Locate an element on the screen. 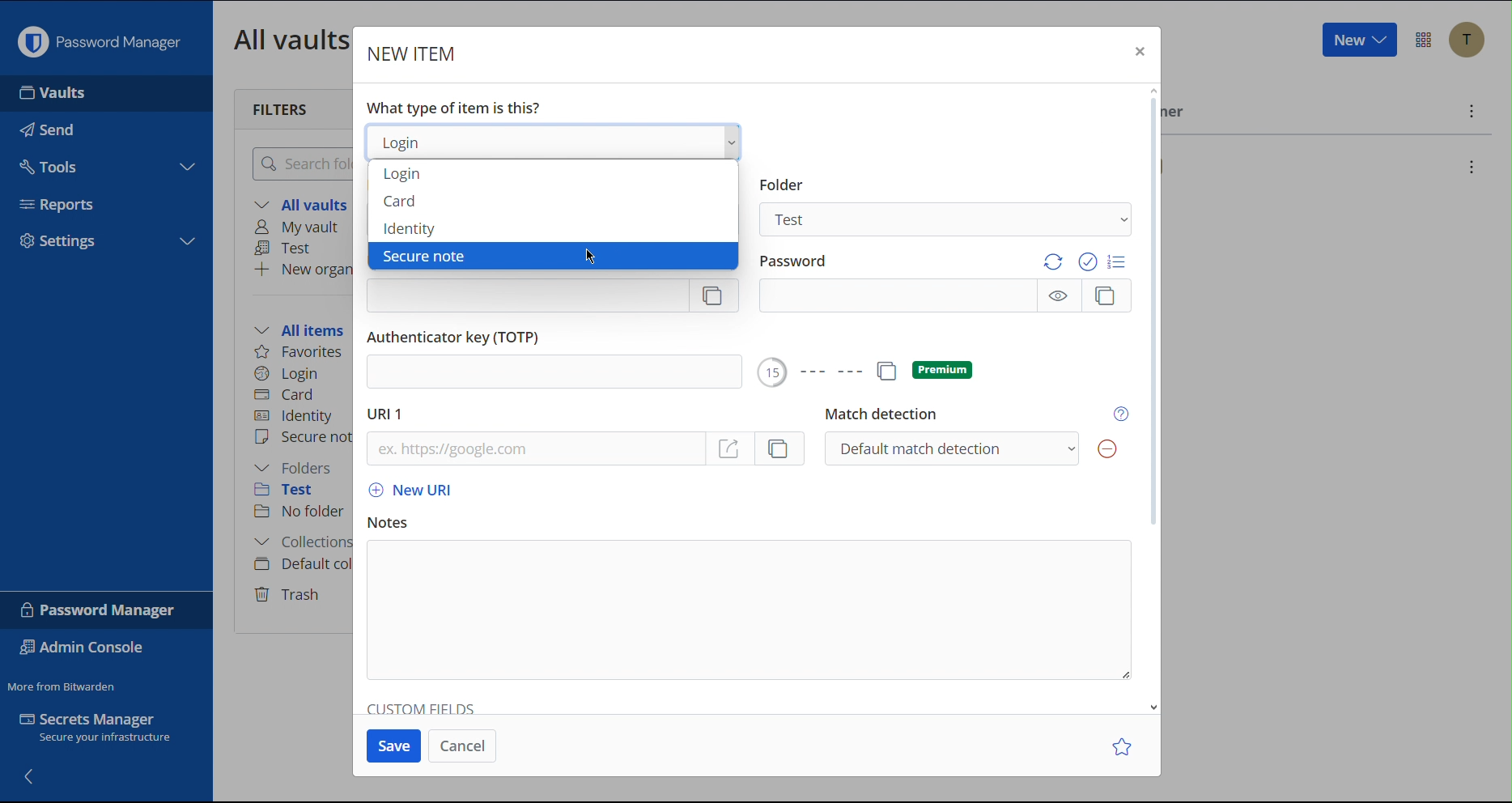 The image size is (1512, 803). Star is located at coordinates (1124, 746).